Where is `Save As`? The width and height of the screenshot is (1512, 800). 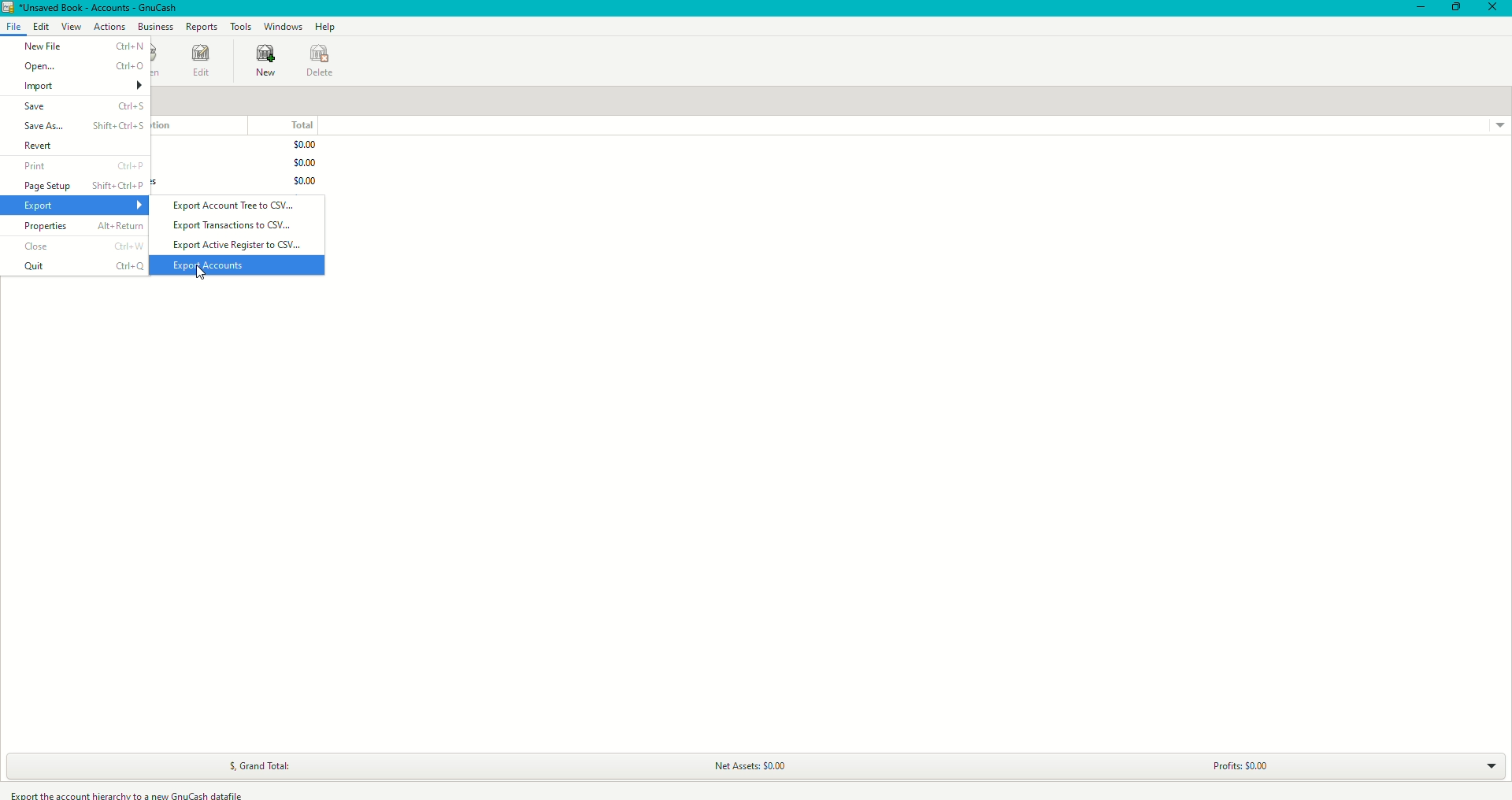 Save As is located at coordinates (83, 128).